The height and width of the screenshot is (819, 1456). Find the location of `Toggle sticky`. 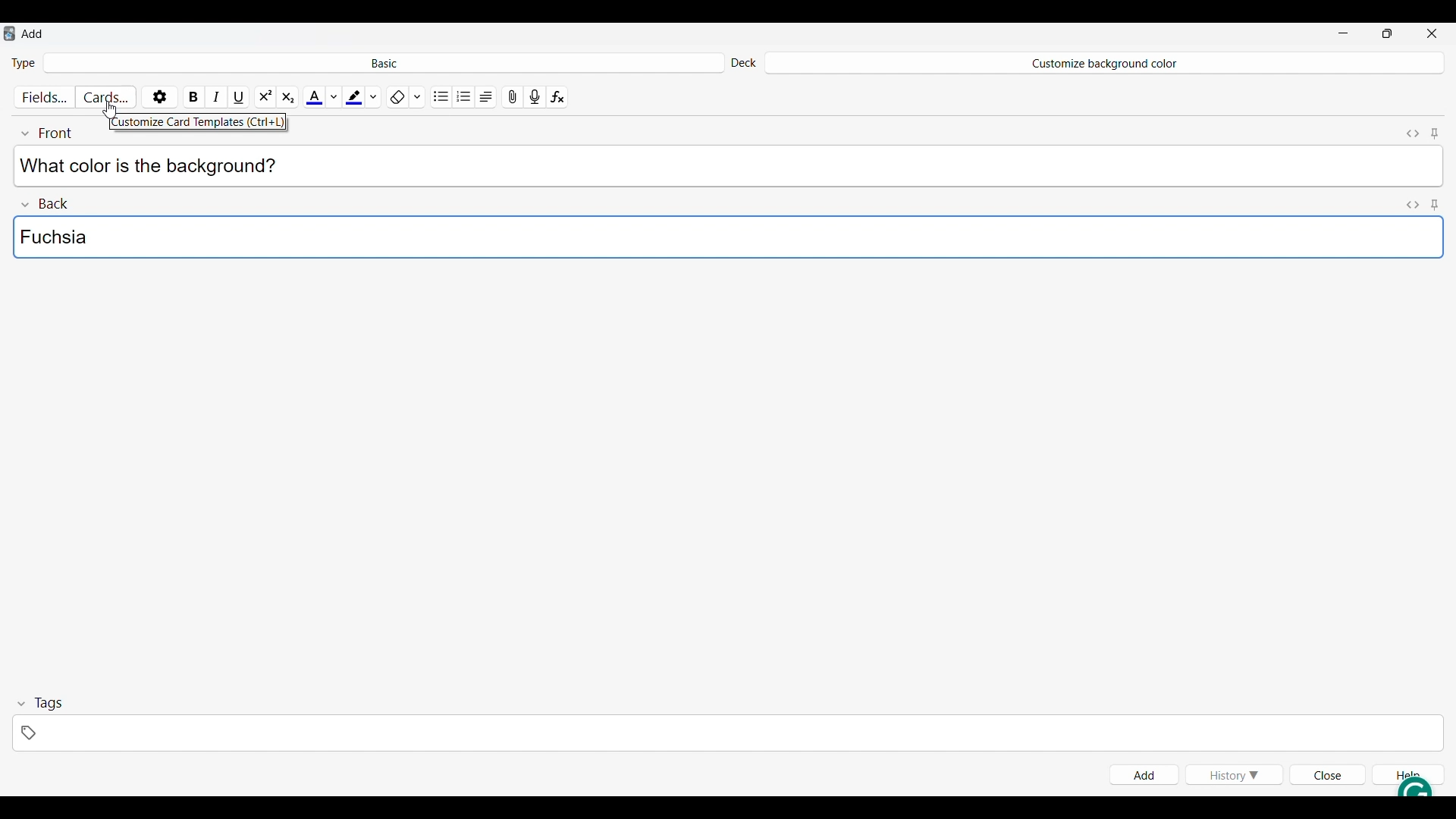

Toggle sticky is located at coordinates (1434, 203).